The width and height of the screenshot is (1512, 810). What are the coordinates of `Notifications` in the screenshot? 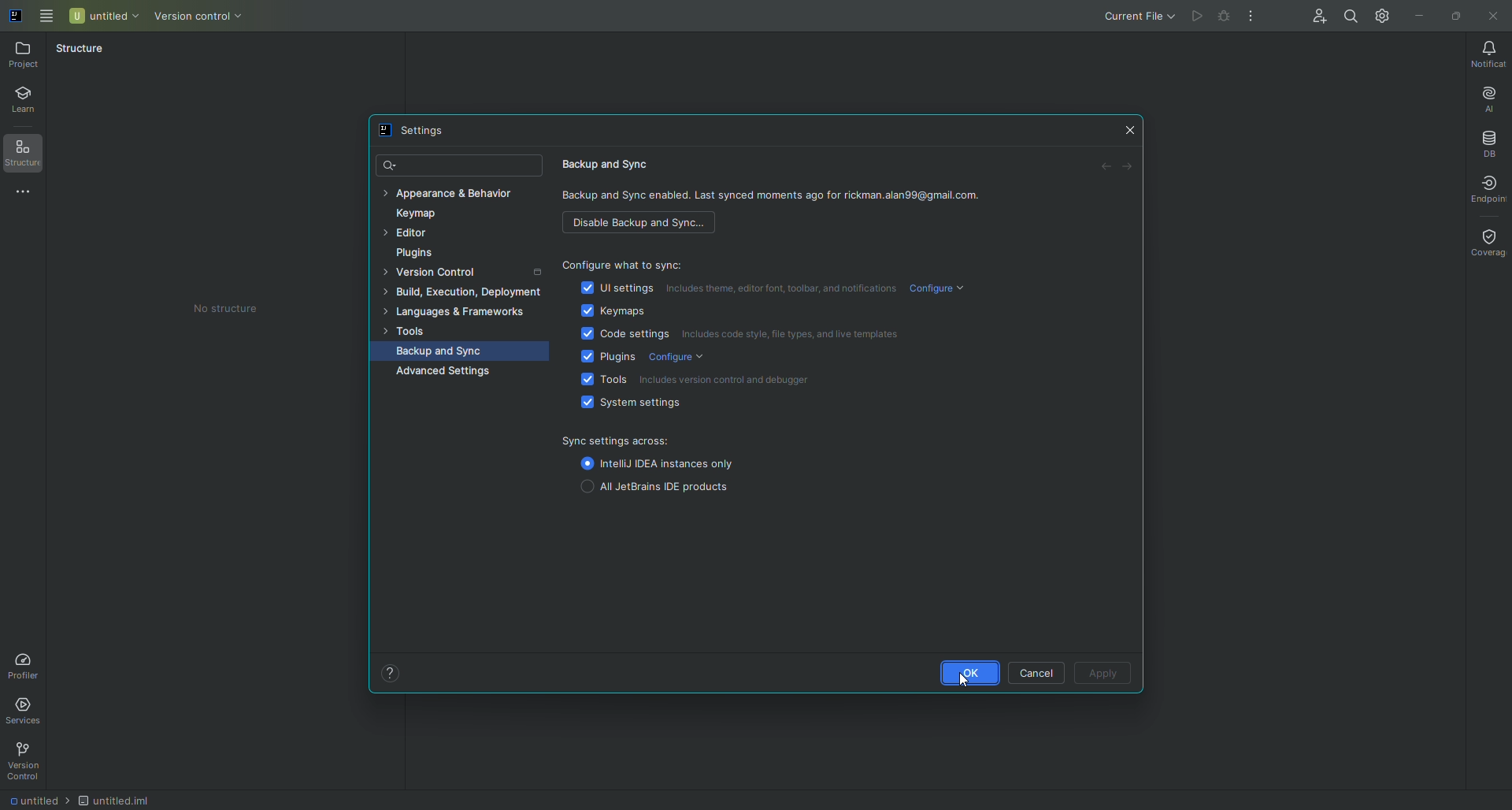 It's located at (1483, 54).